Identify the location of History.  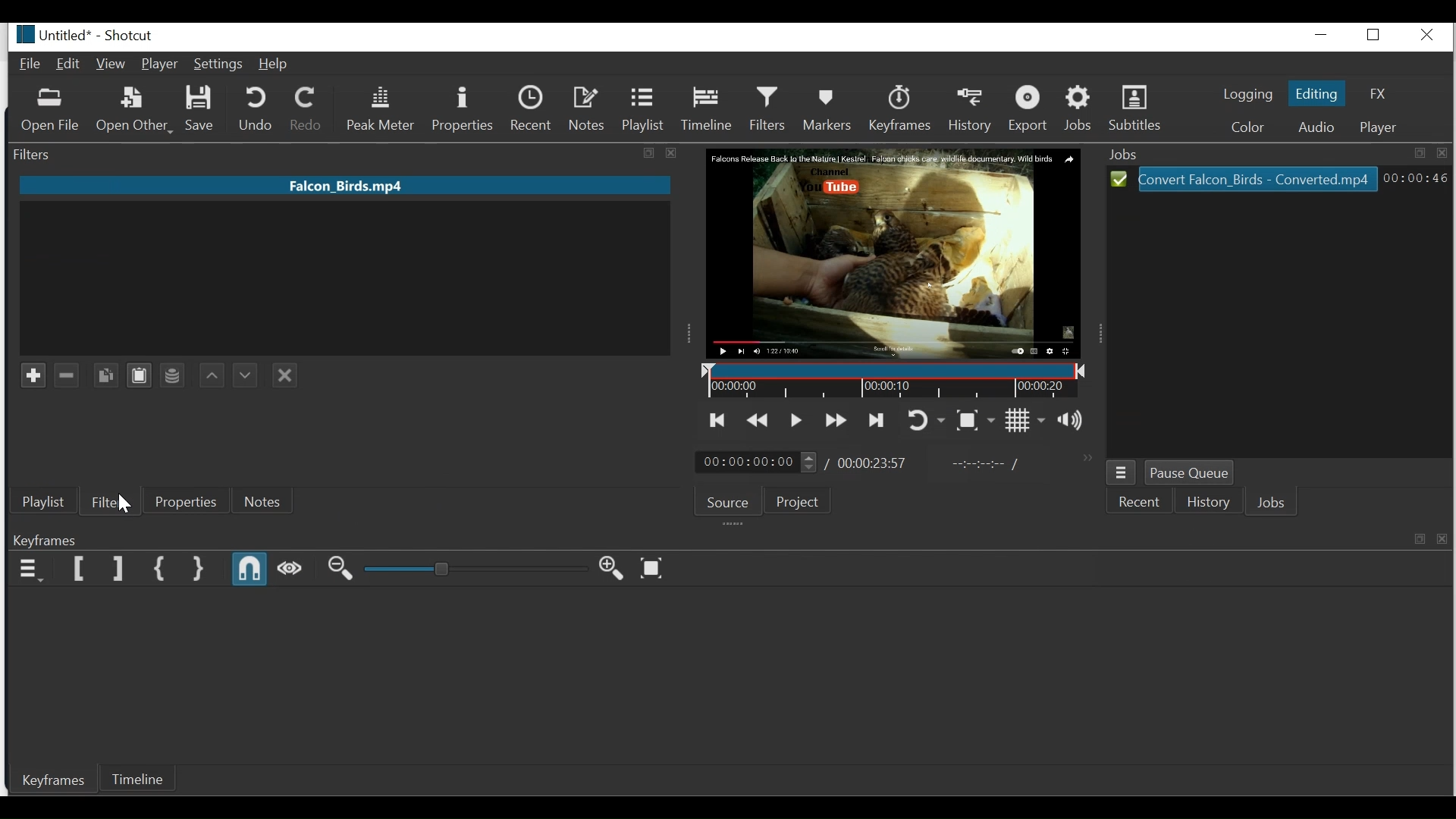
(1208, 500).